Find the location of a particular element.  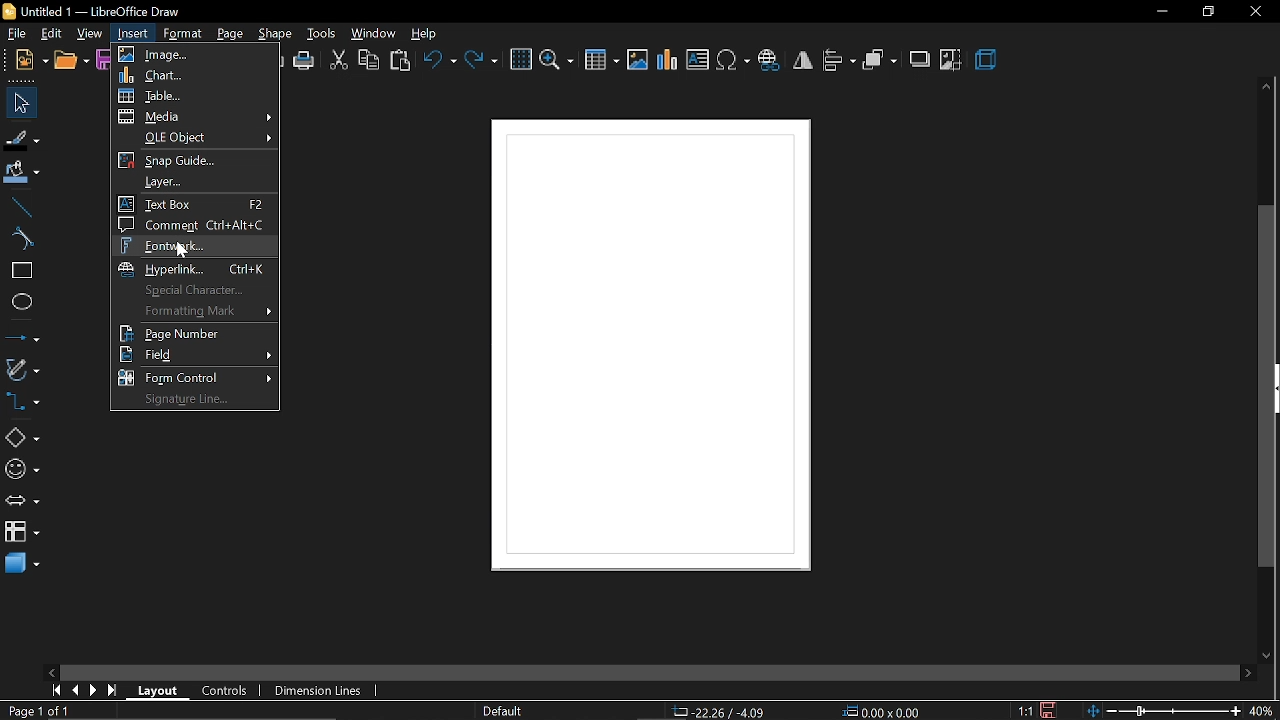

go to first page is located at coordinates (53, 690).